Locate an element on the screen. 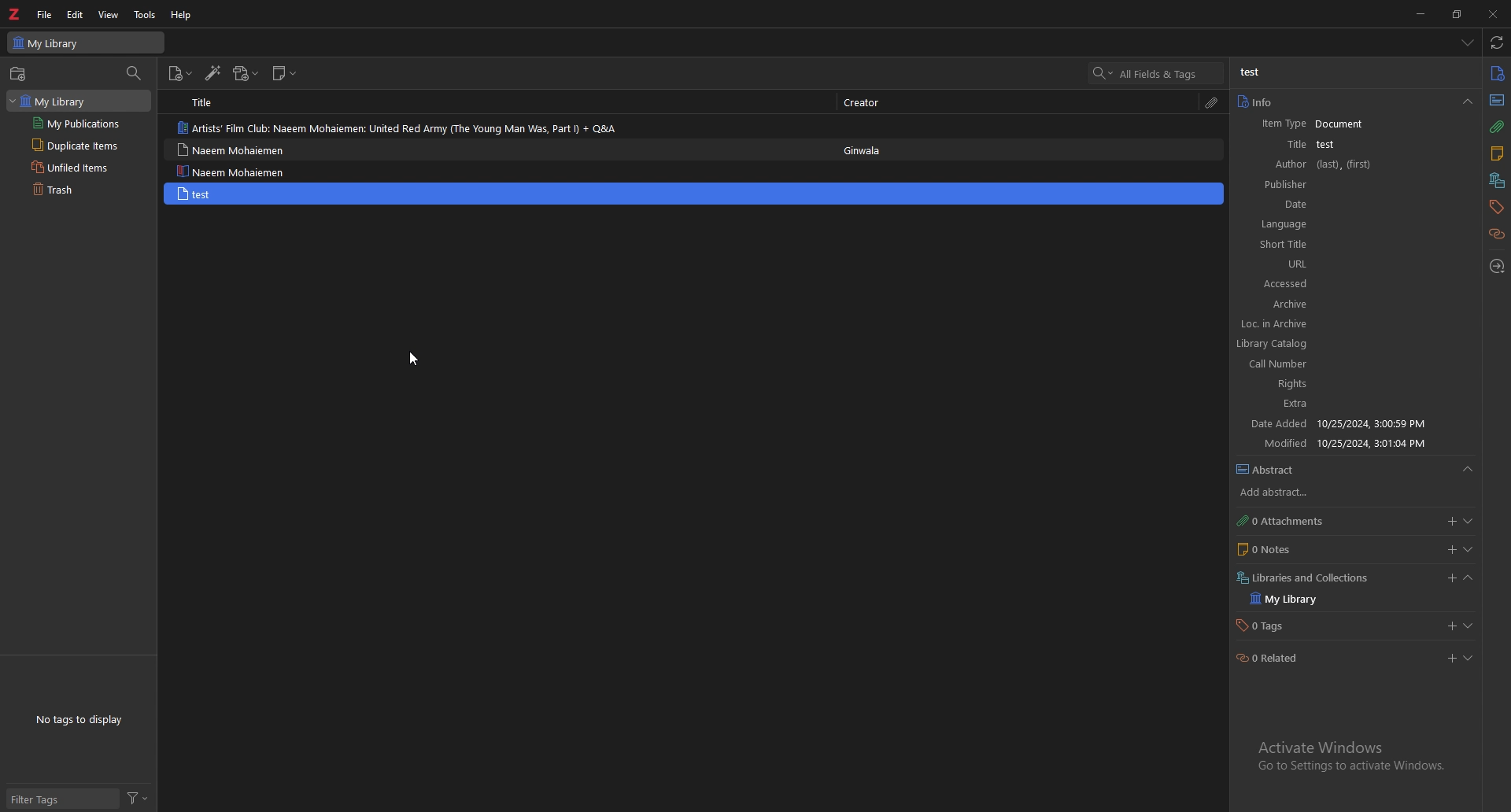 The image size is (1511, 812). language input is located at coordinates (1366, 225).